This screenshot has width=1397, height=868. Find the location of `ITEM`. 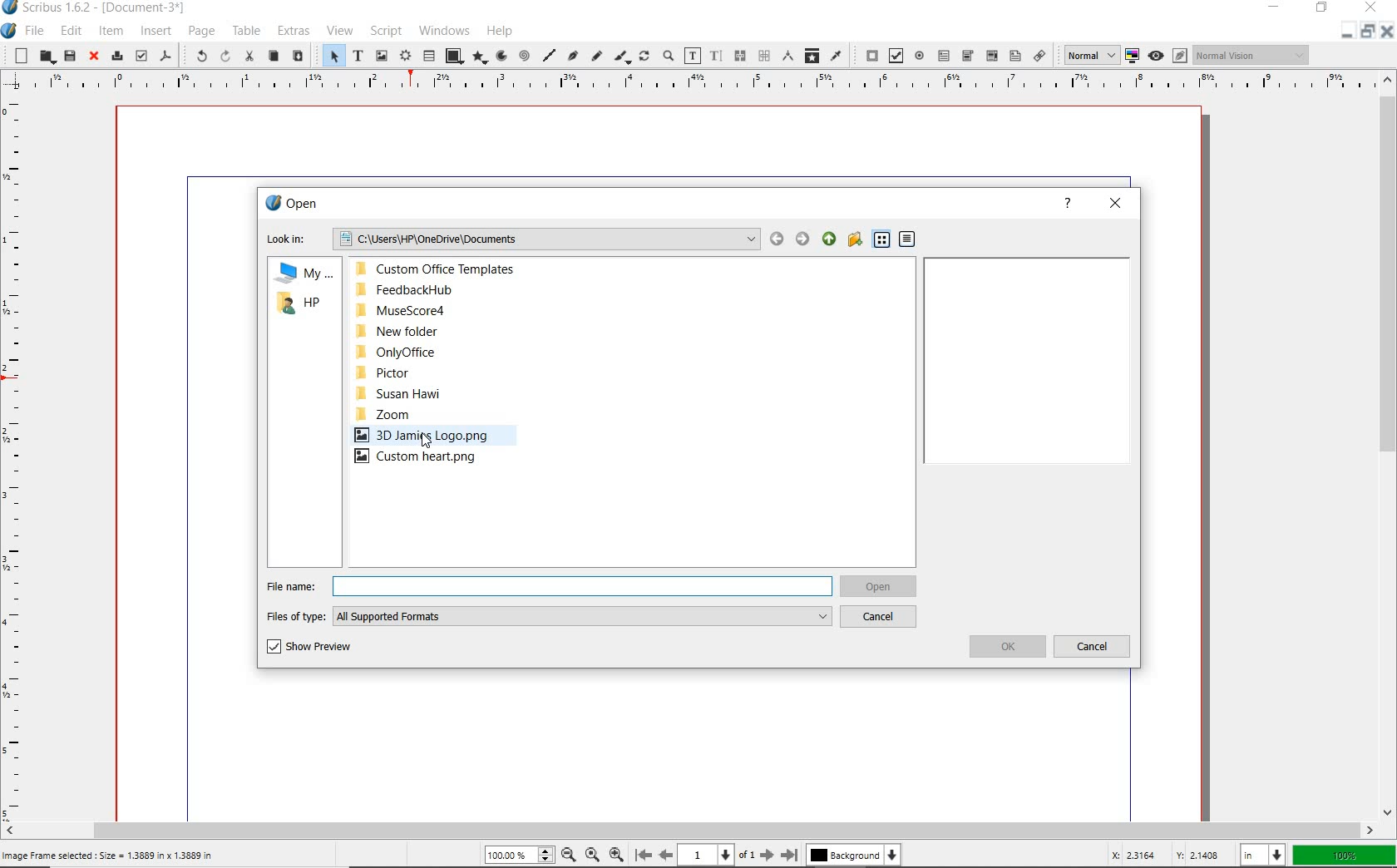

ITEM is located at coordinates (111, 30).